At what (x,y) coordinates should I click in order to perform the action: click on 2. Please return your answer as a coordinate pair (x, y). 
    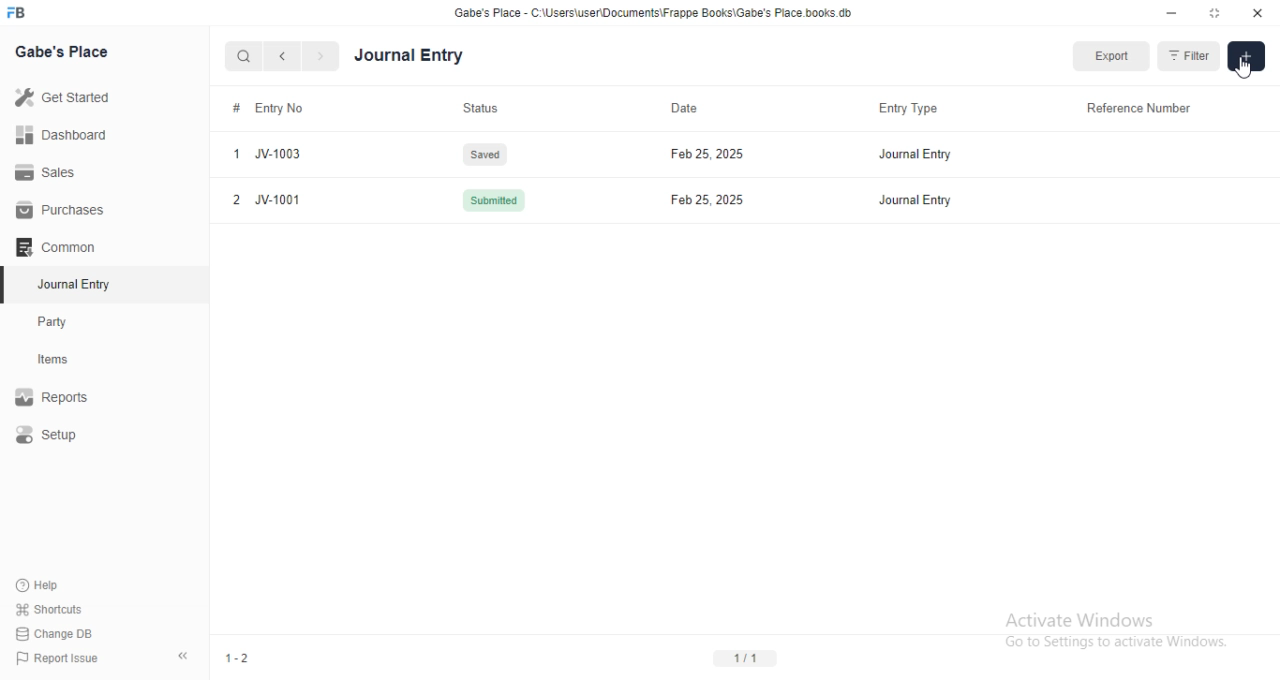
    Looking at the image, I should click on (231, 200).